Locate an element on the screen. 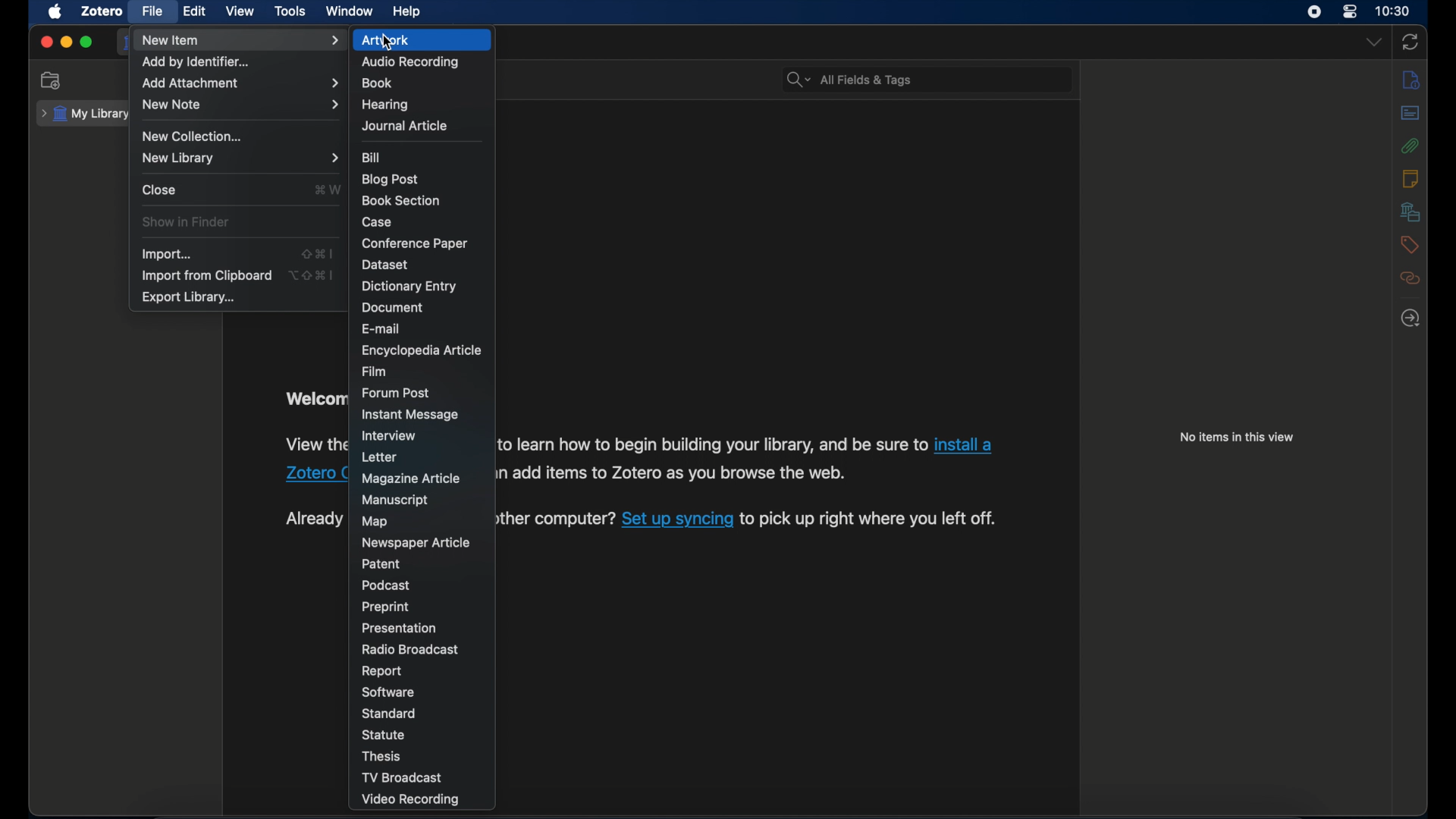  shortcut is located at coordinates (312, 275).